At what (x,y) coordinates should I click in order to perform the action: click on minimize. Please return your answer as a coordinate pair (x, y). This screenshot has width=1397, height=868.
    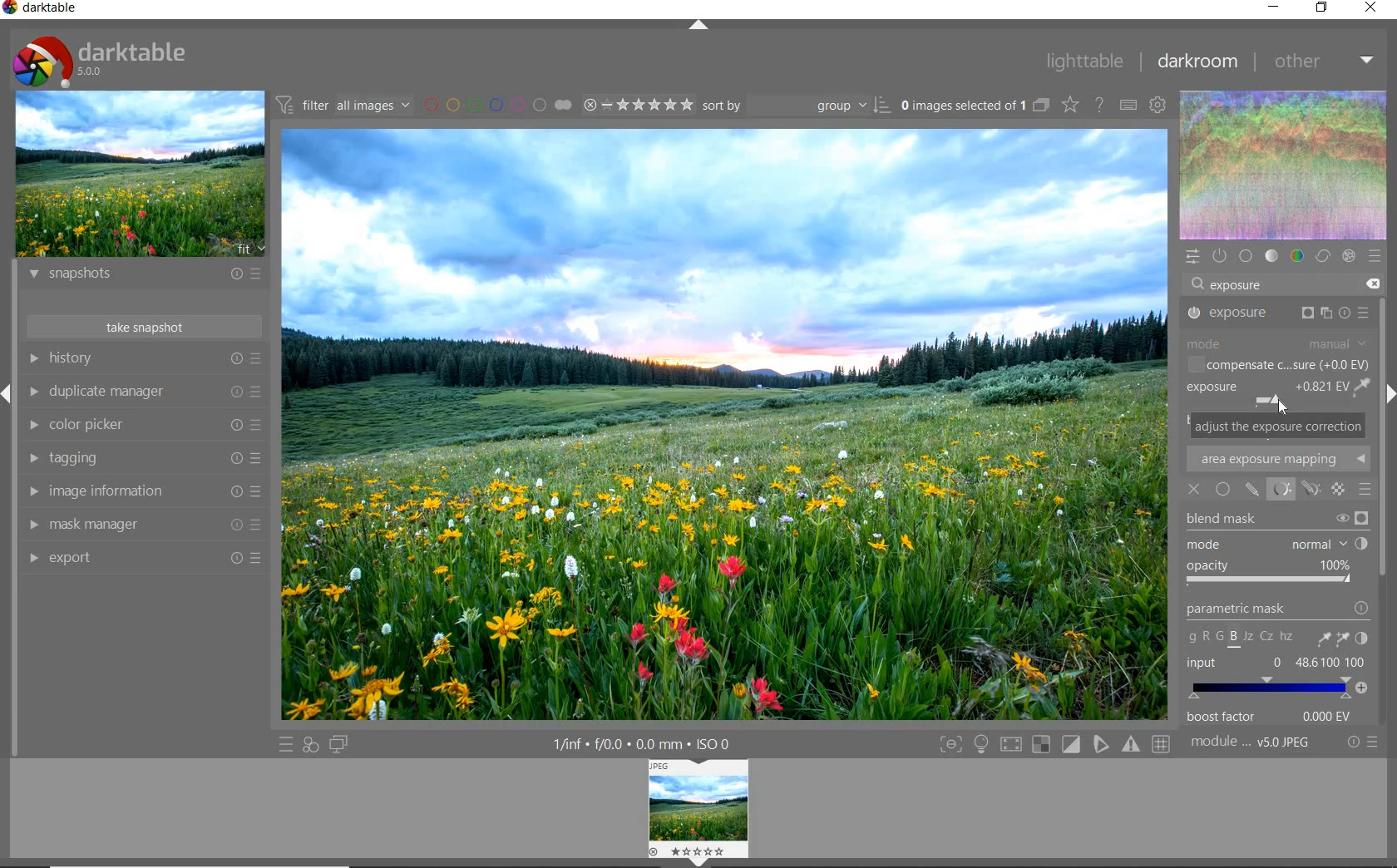
    Looking at the image, I should click on (1273, 7).